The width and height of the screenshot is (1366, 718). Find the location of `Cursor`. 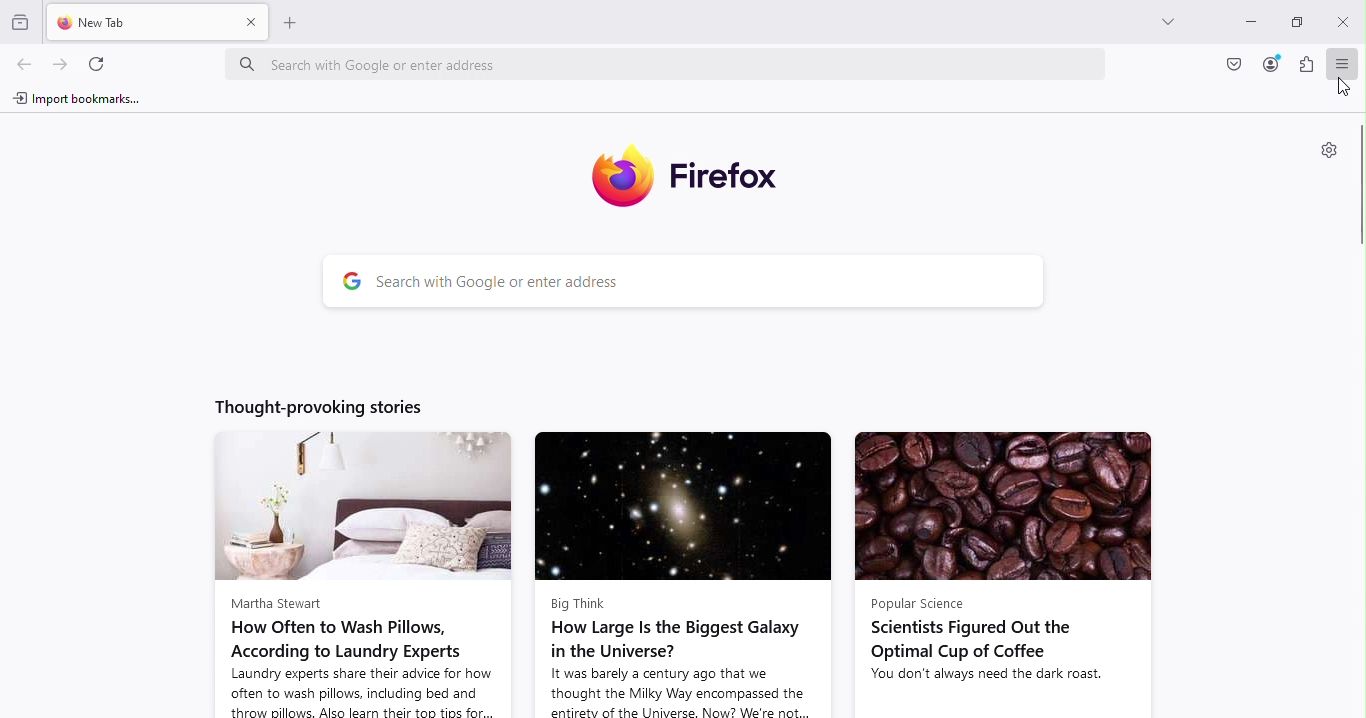

Cursor is located at coordinates (1339, 87).